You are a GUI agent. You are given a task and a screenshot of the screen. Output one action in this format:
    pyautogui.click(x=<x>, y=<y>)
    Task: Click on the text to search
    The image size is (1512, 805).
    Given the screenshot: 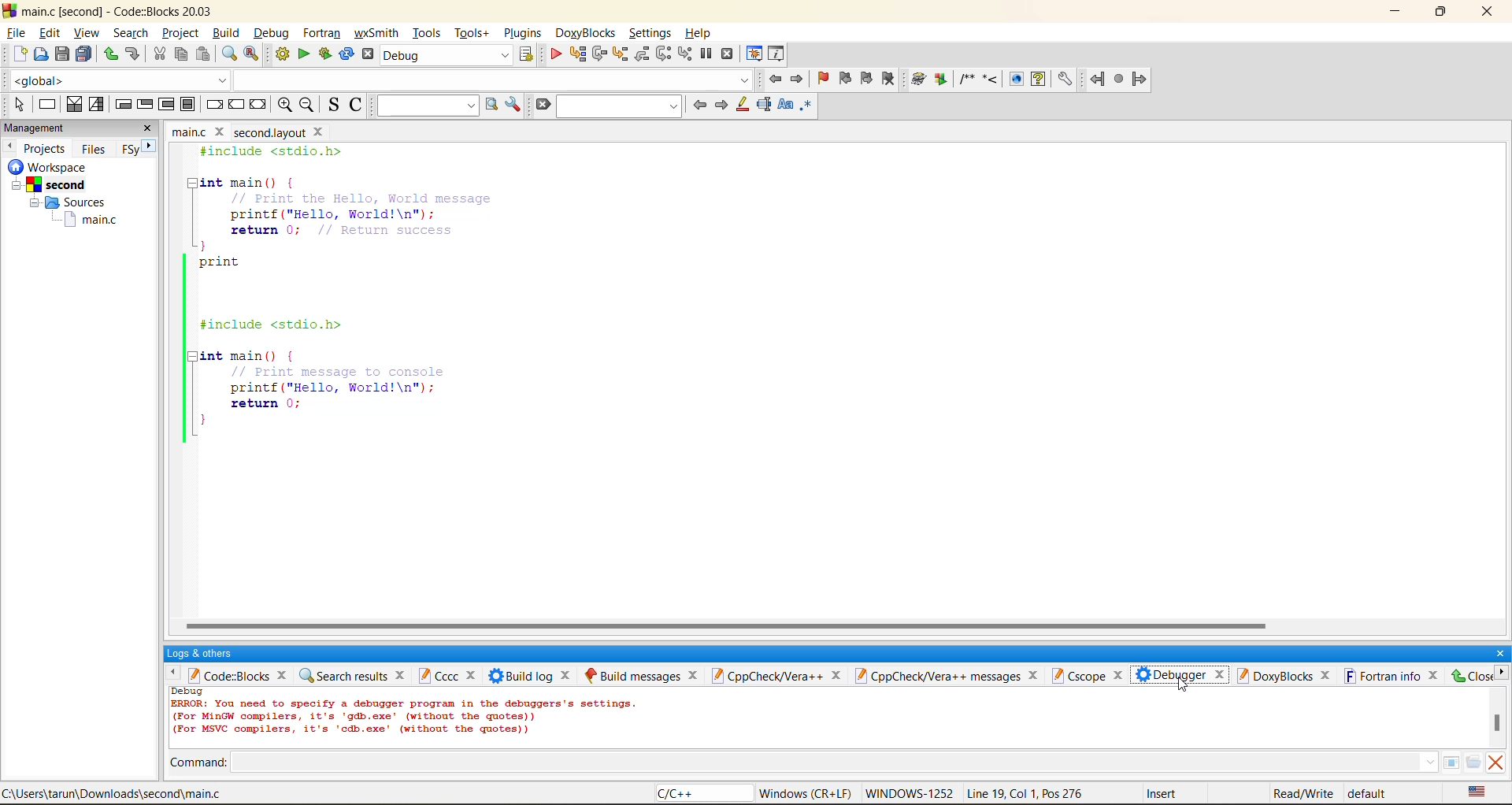 What is the action you would take?
    pyautogui.click(x=428, y=104)
    